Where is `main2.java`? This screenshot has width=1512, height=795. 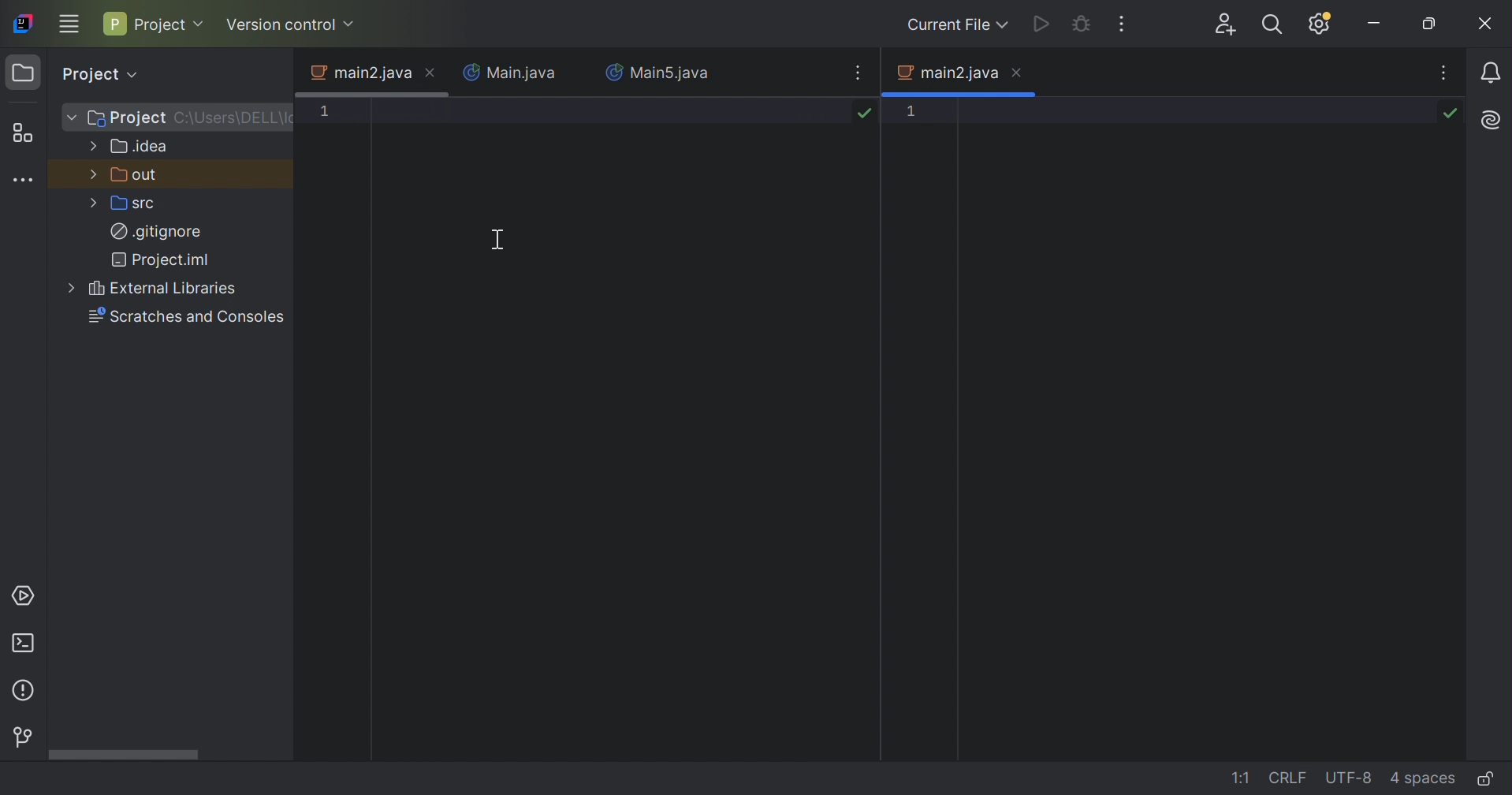
main2.java is located at coordinates (363, 72).